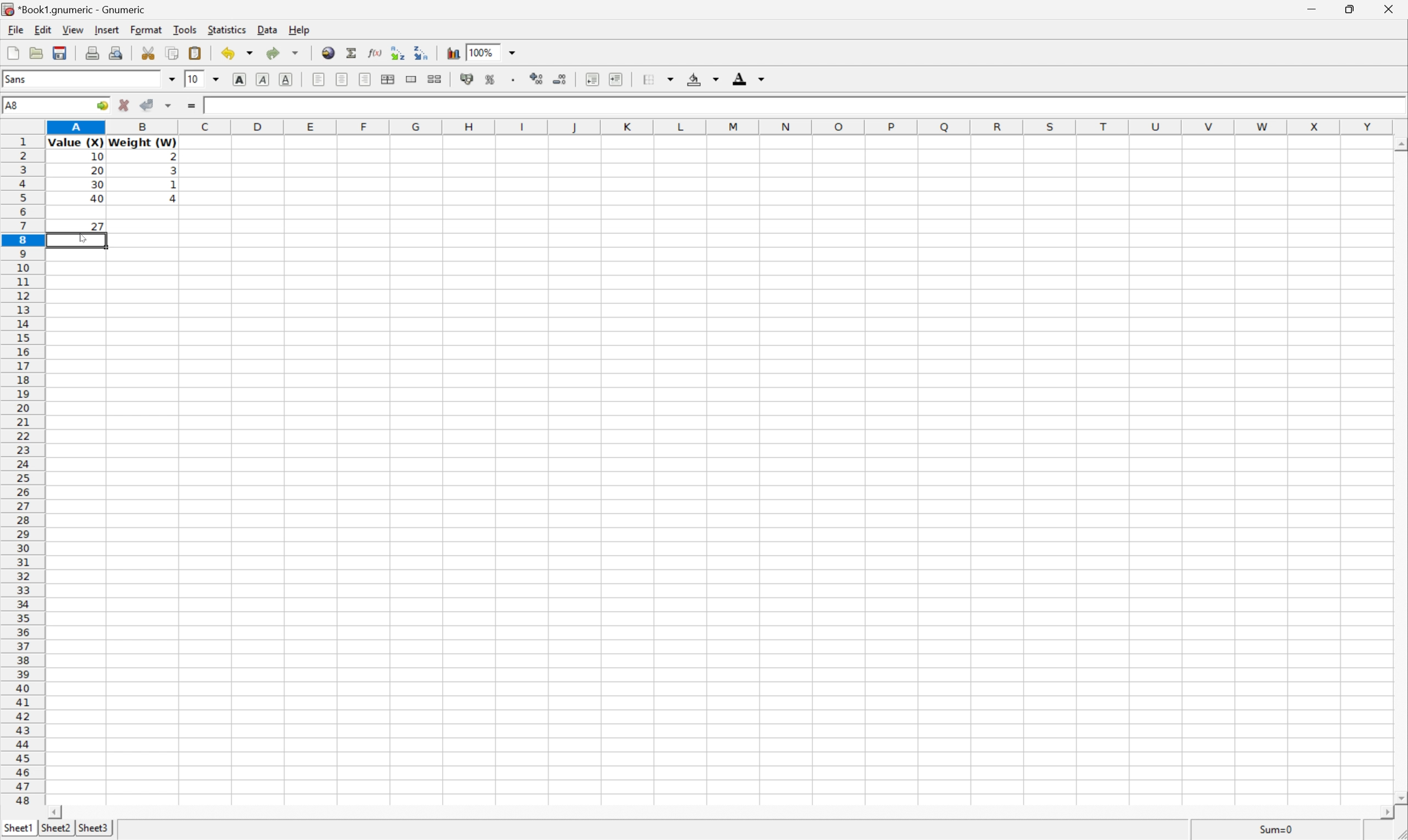 Image resolution: width=1408 pixels, height=840 pixels. What do you see at coordinates (75, 142) in the screenshot?
I see `Value (X)` at bounding box center [75, 142].